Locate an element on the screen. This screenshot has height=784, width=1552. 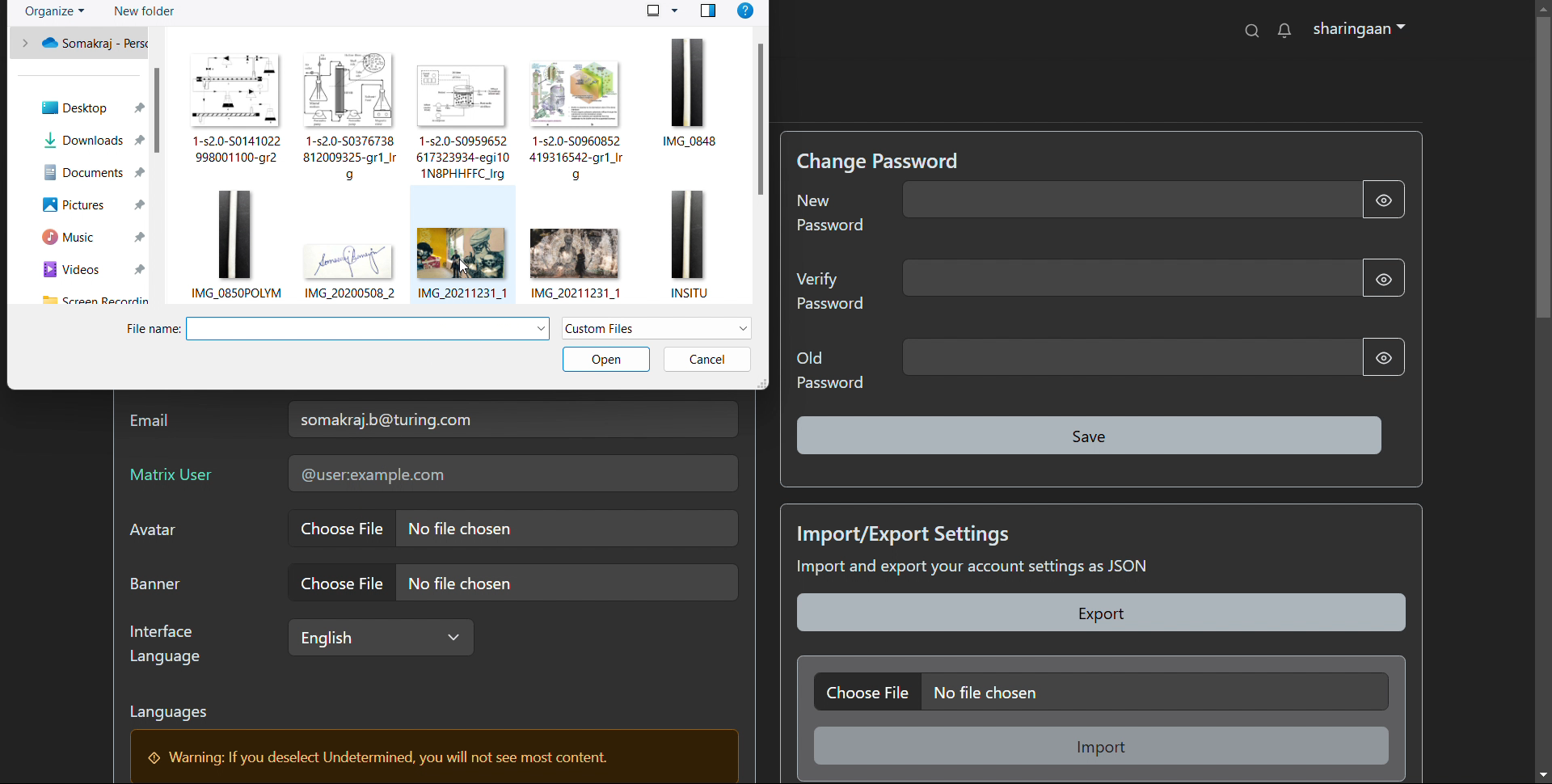
image 8 being selected is located at coordinates (458, 244).